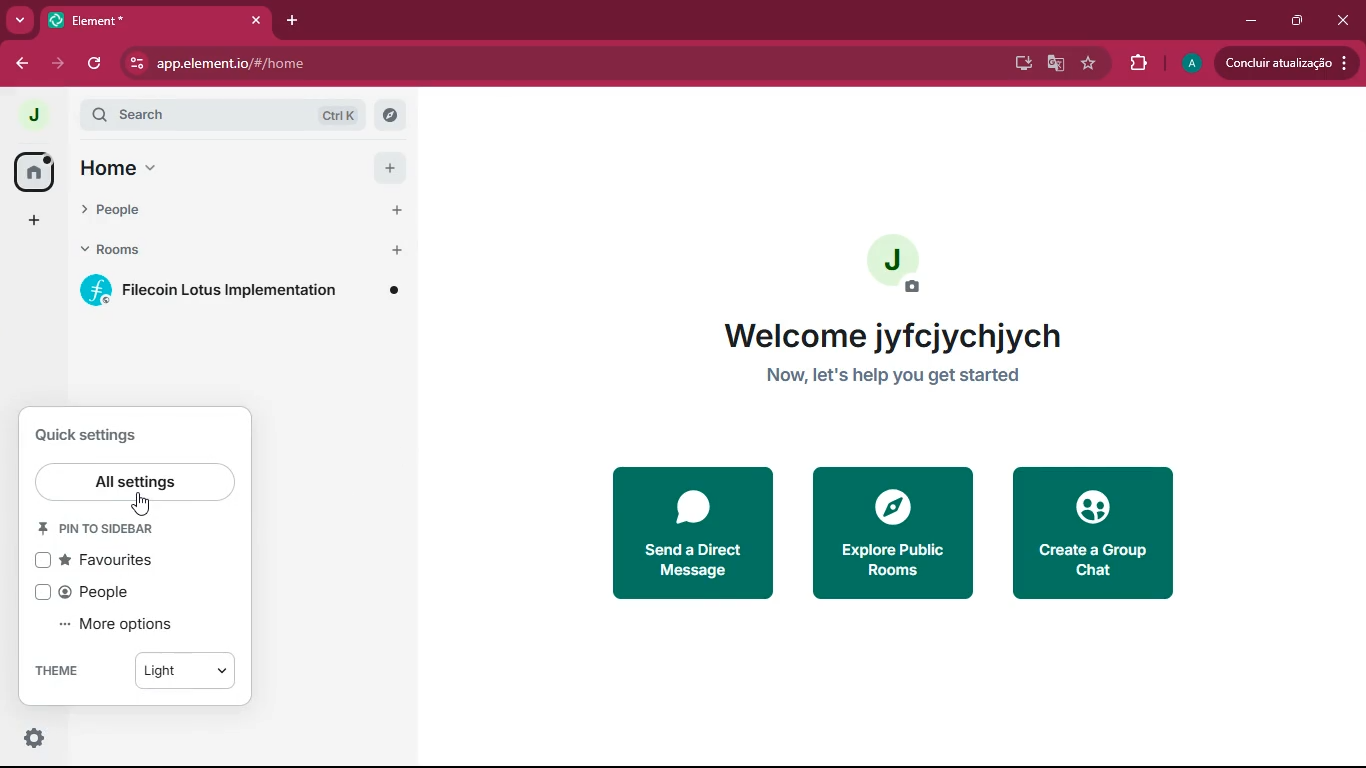  Describe the element at coordinates (1089, 63) in the screenshot. I see `favourite` at that location.